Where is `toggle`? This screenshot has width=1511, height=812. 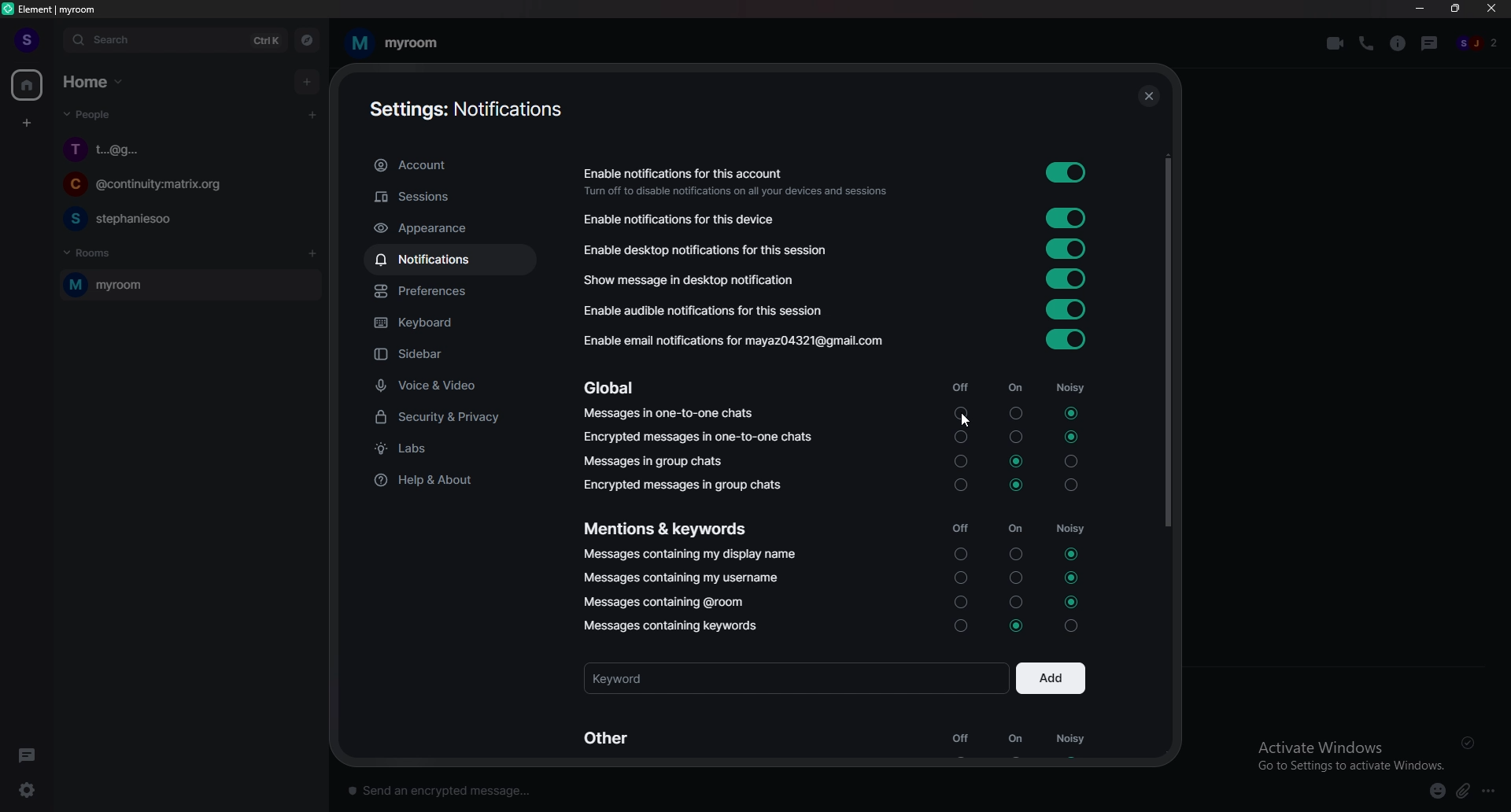
toggle is located at coordinates (1068, 248).